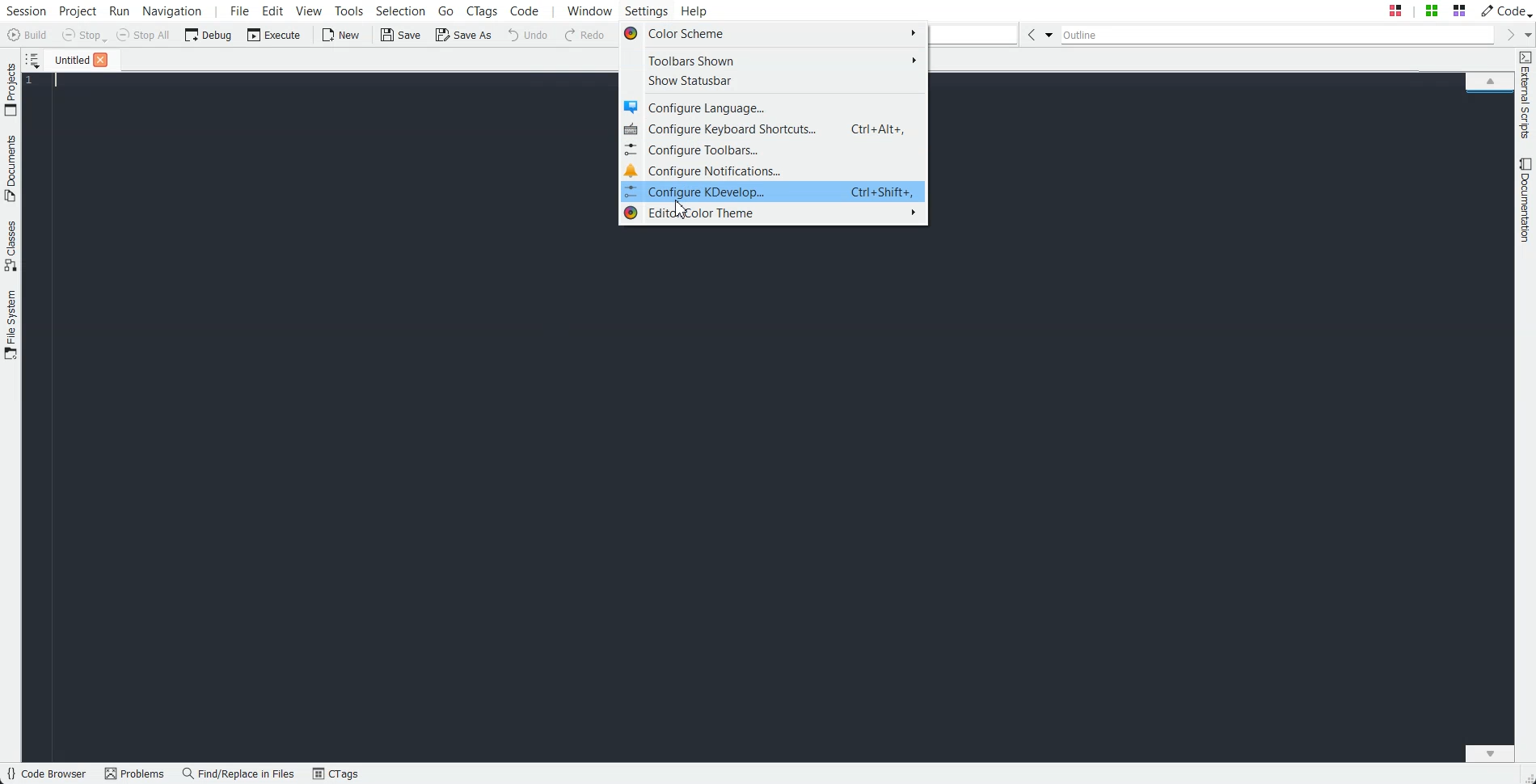 The image size is (1536, 784). What do you see at coordinates (1489, 95) in the screenshot?
I see `File Overview` at bounding box center [1489, 95].